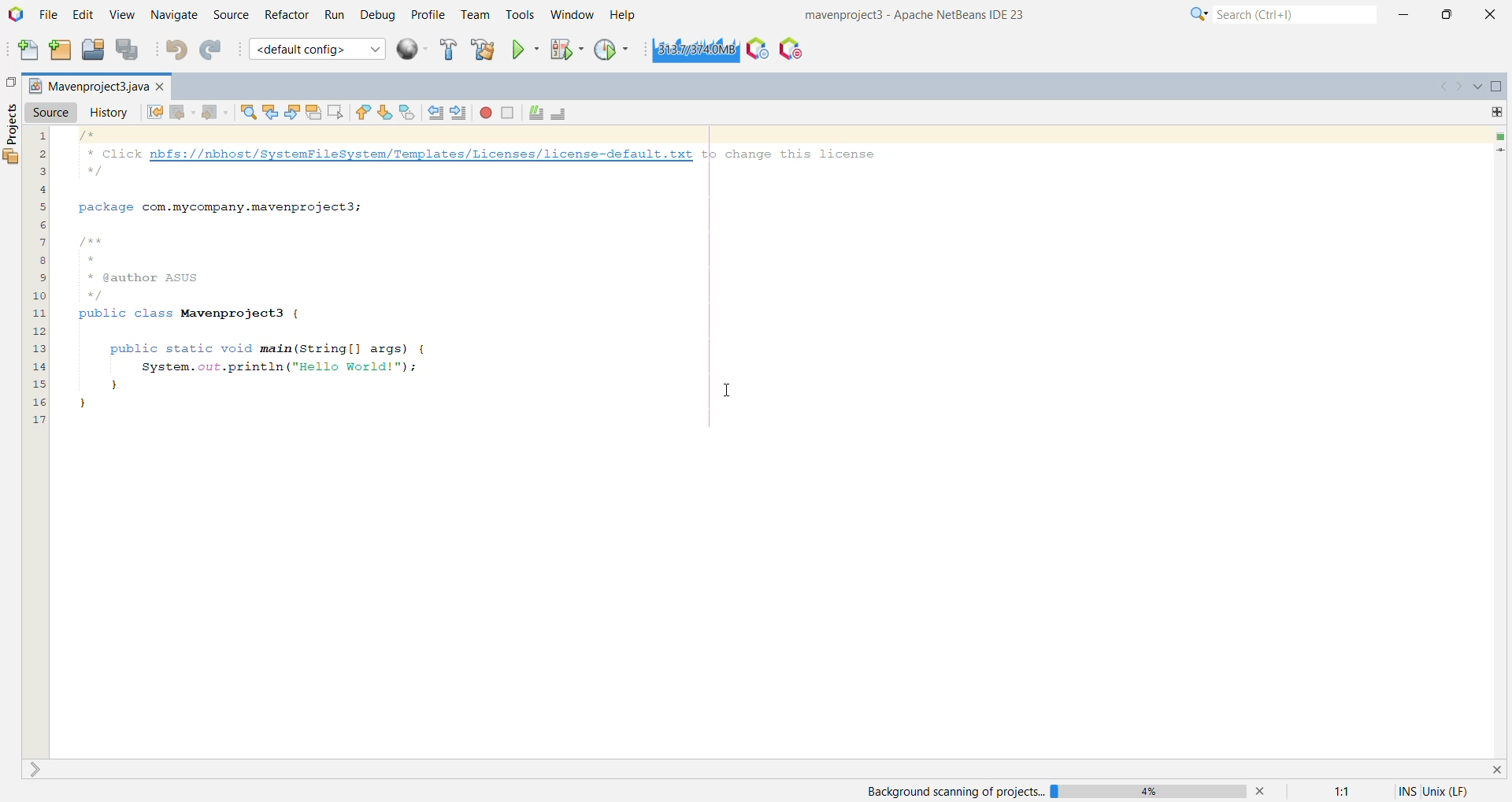 The image size is (1512, 802). Describe the element at coordinates (427, 15) in the screenshot. I see `Profile` at that location.